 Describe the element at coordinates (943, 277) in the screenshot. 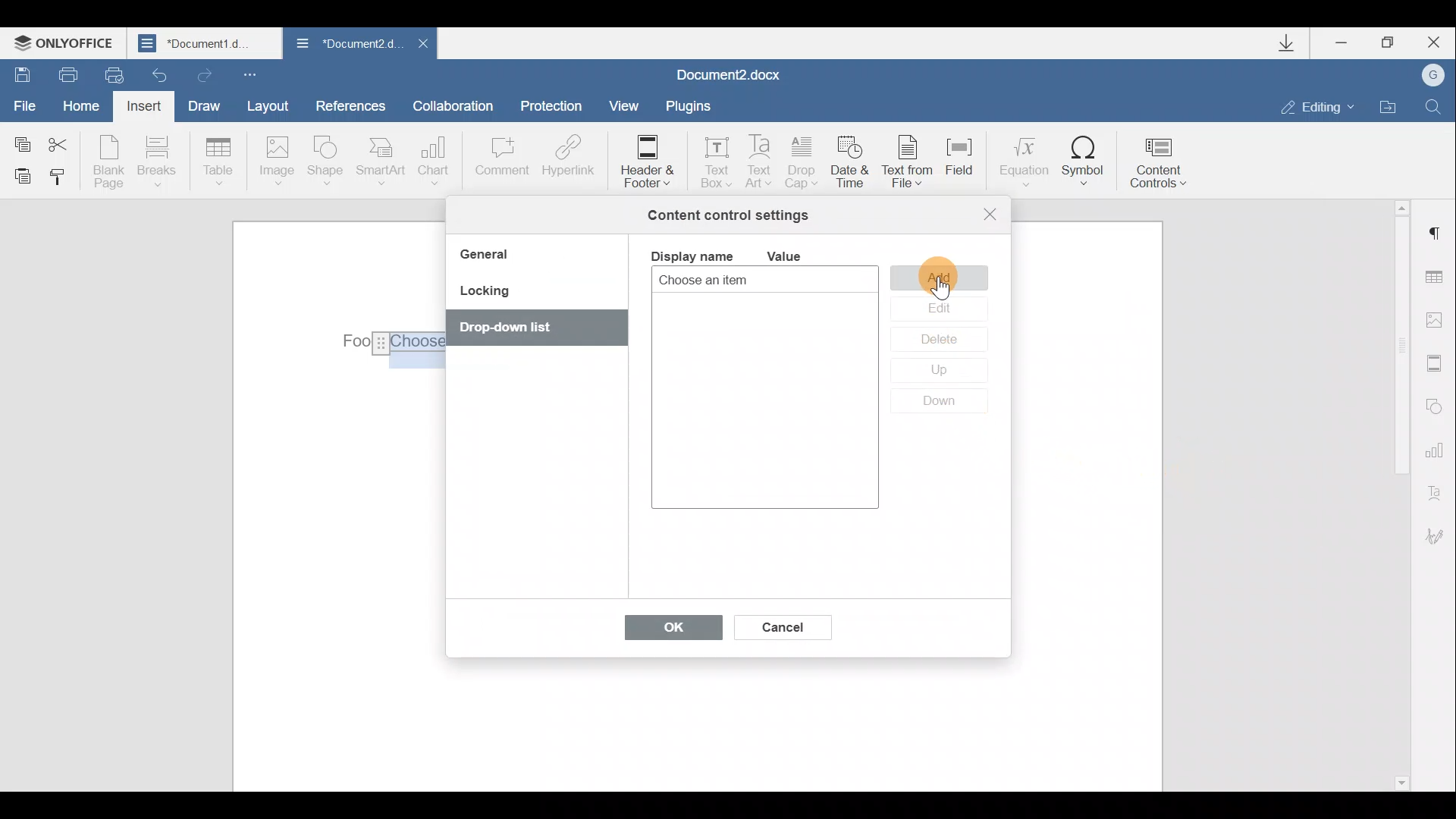

I see `Add` at that location.